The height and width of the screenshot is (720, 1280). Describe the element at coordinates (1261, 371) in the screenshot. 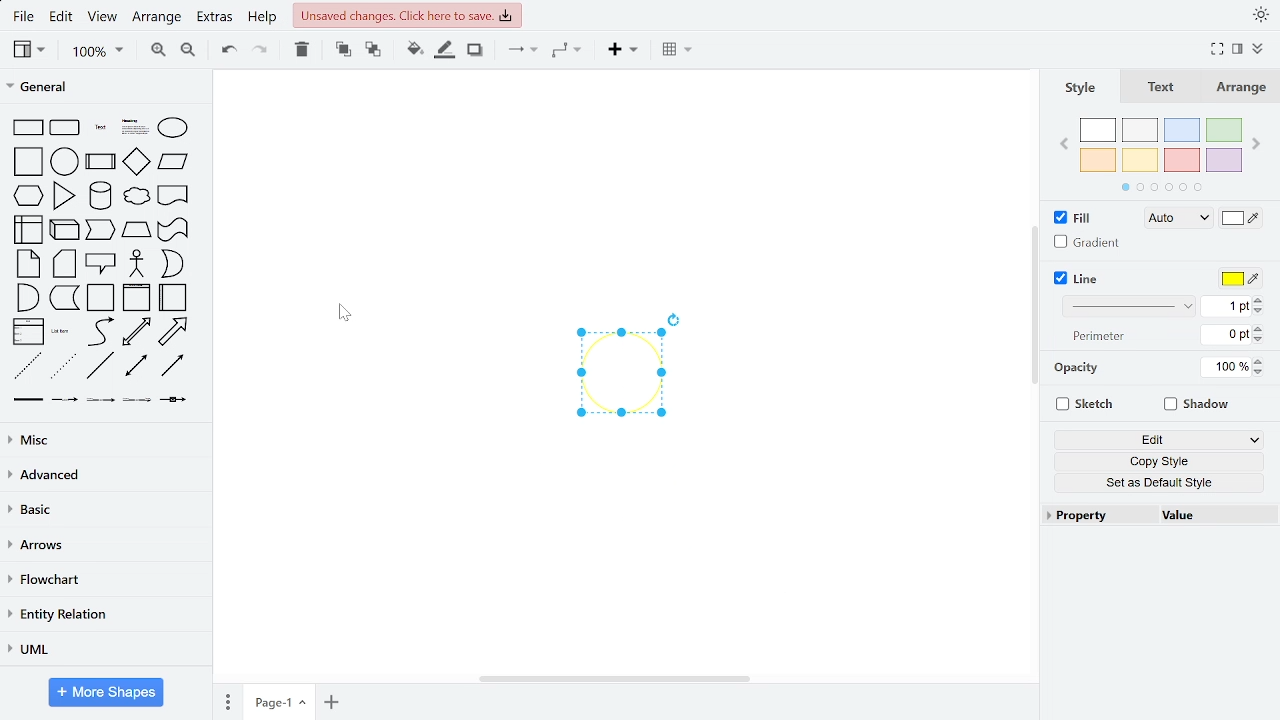

I see `decrease opacity` at that location.